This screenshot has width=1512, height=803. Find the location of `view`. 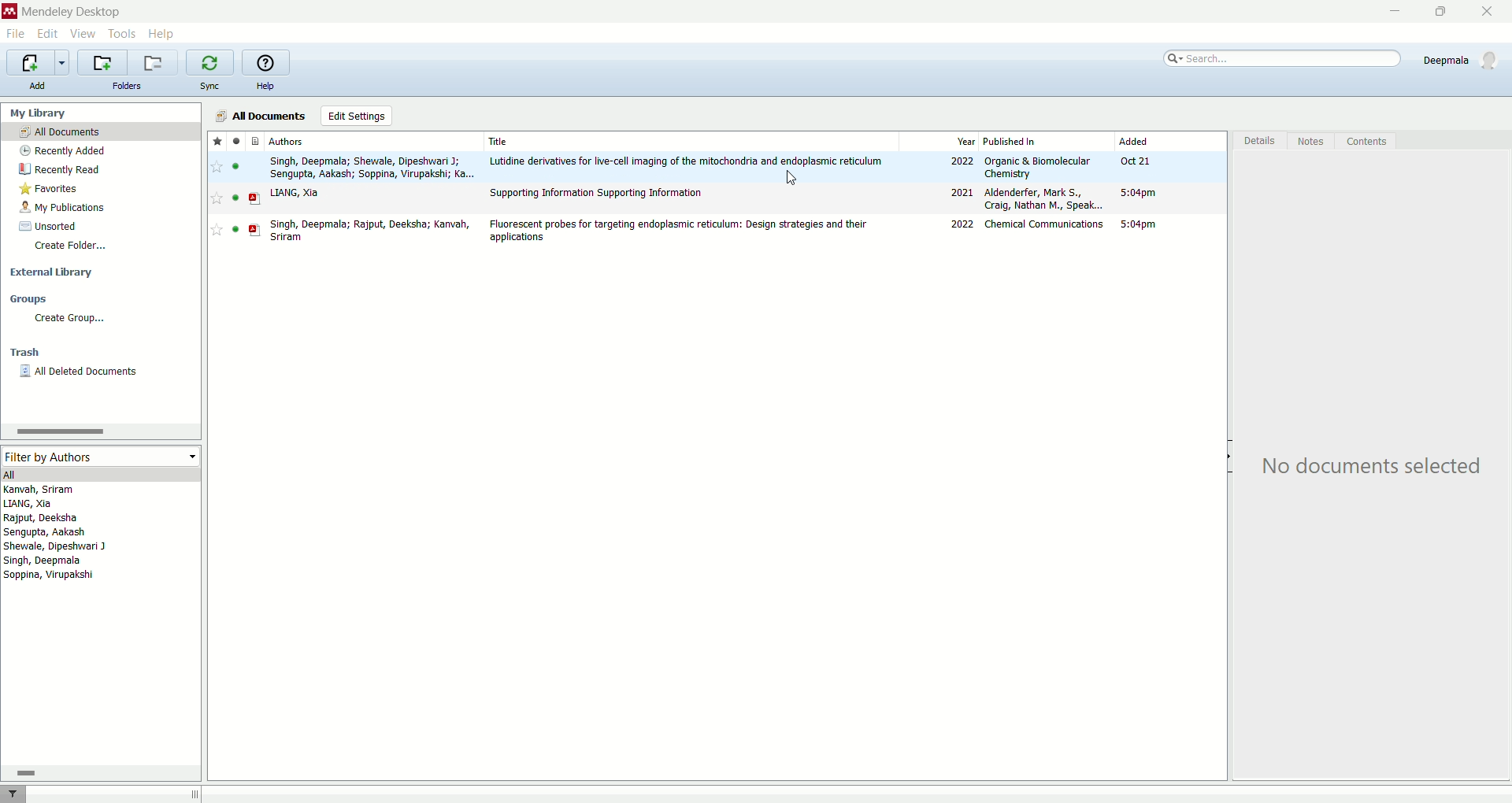

view is located at coordinates (81, 34).